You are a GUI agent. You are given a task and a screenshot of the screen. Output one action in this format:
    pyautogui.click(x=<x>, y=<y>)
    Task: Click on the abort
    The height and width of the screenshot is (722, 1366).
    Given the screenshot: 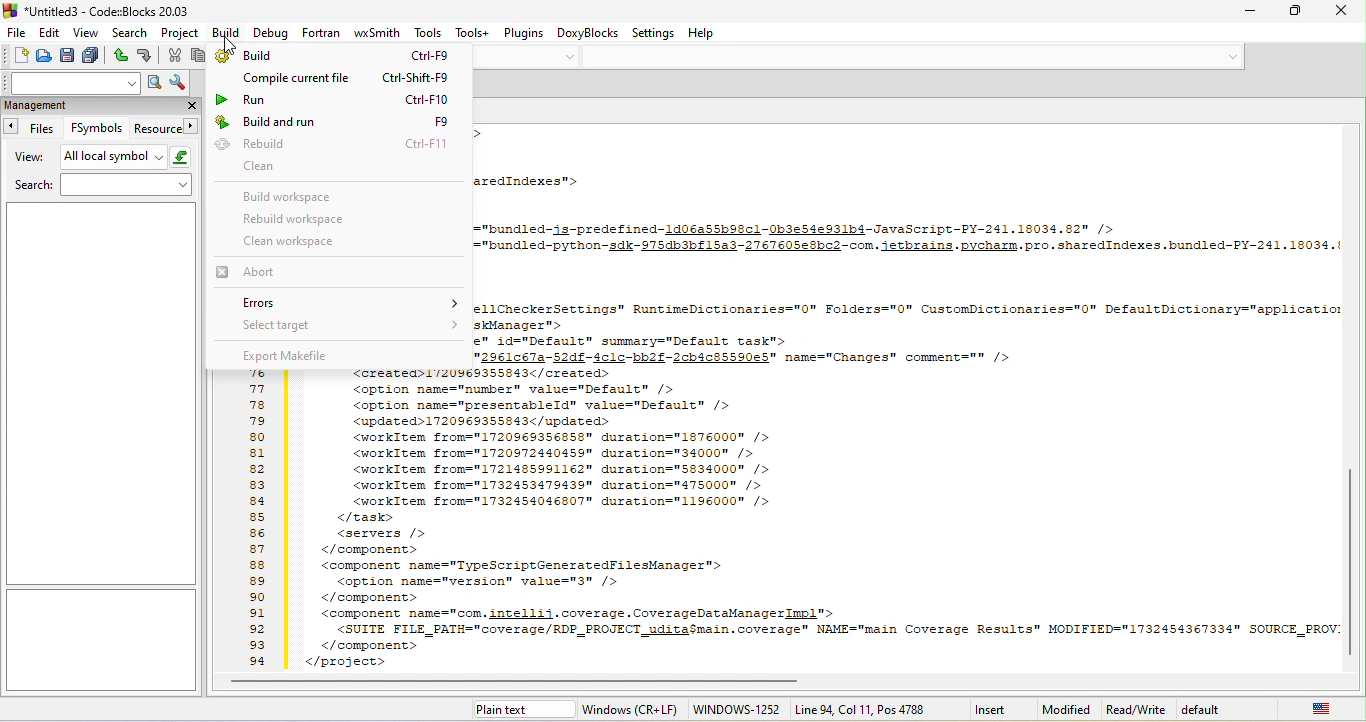 What is the action you would take?
    pyautogui.click(x=271, y=273)
    